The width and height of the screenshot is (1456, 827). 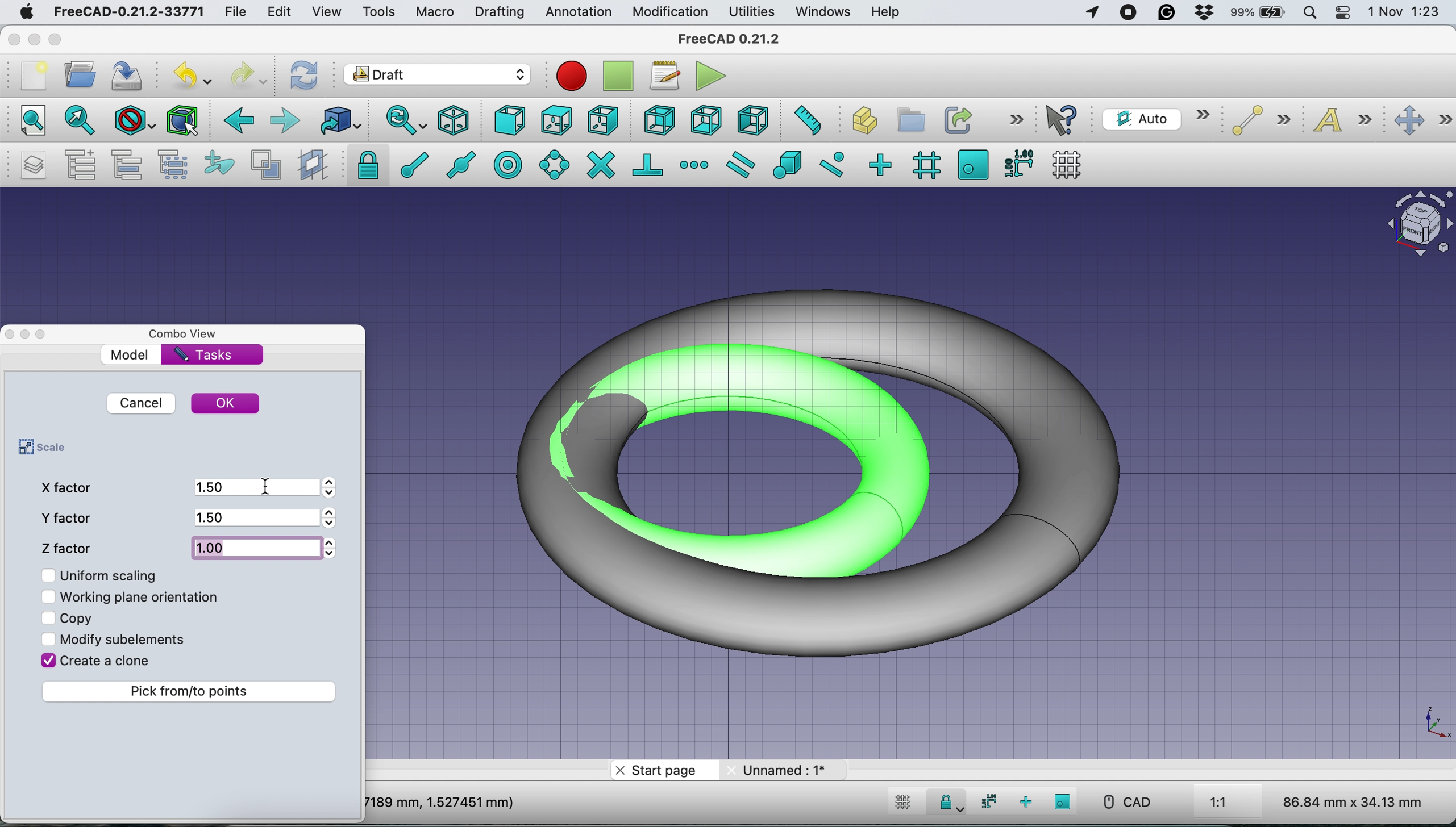 What do you see at coordinates (1017, 163) in the screenshot?
I see `snap dimensions` at bounding box center [1017, 163].